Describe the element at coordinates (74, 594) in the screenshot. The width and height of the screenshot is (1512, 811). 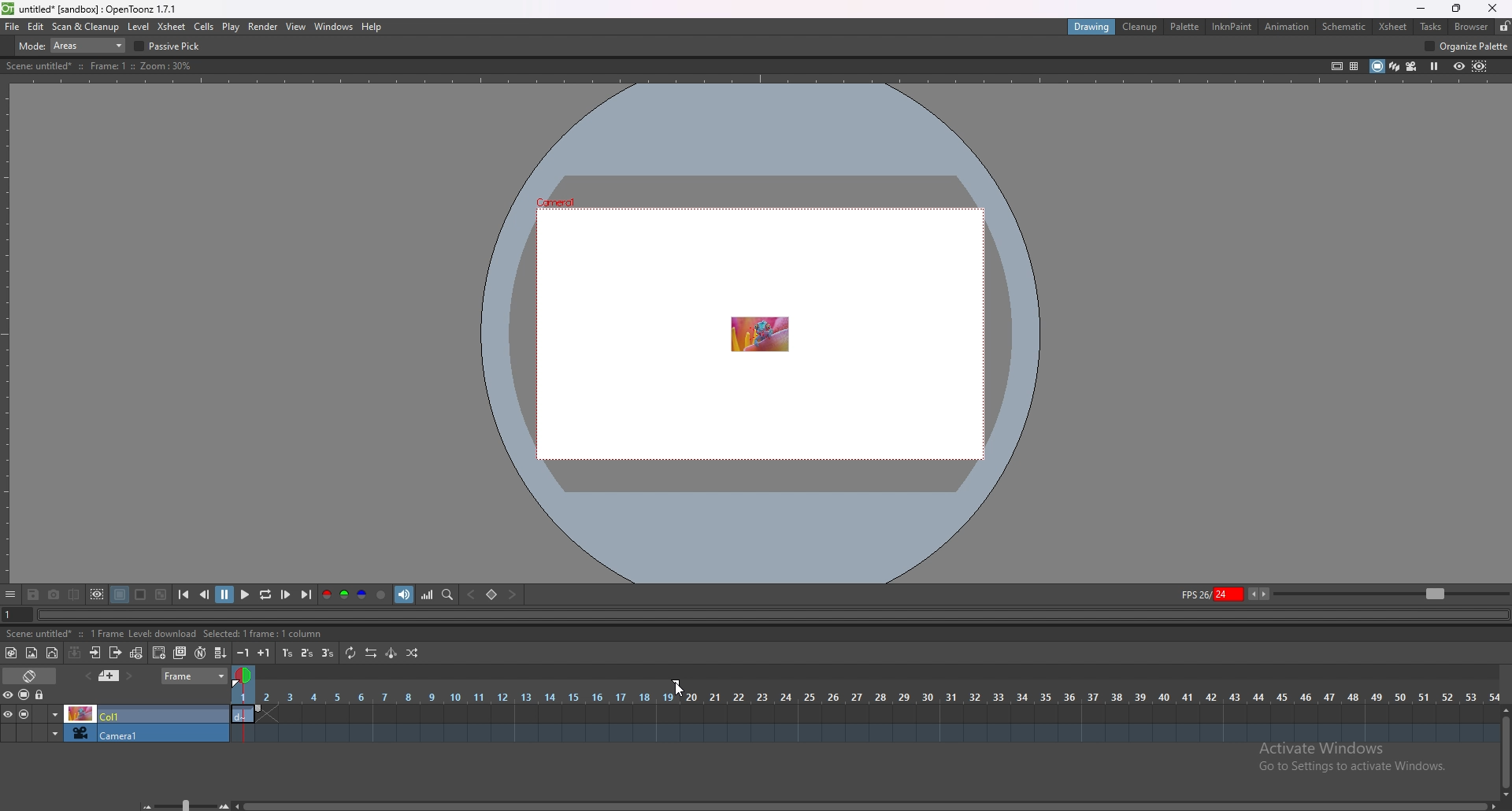
I see `compare to snapshot` at that location.